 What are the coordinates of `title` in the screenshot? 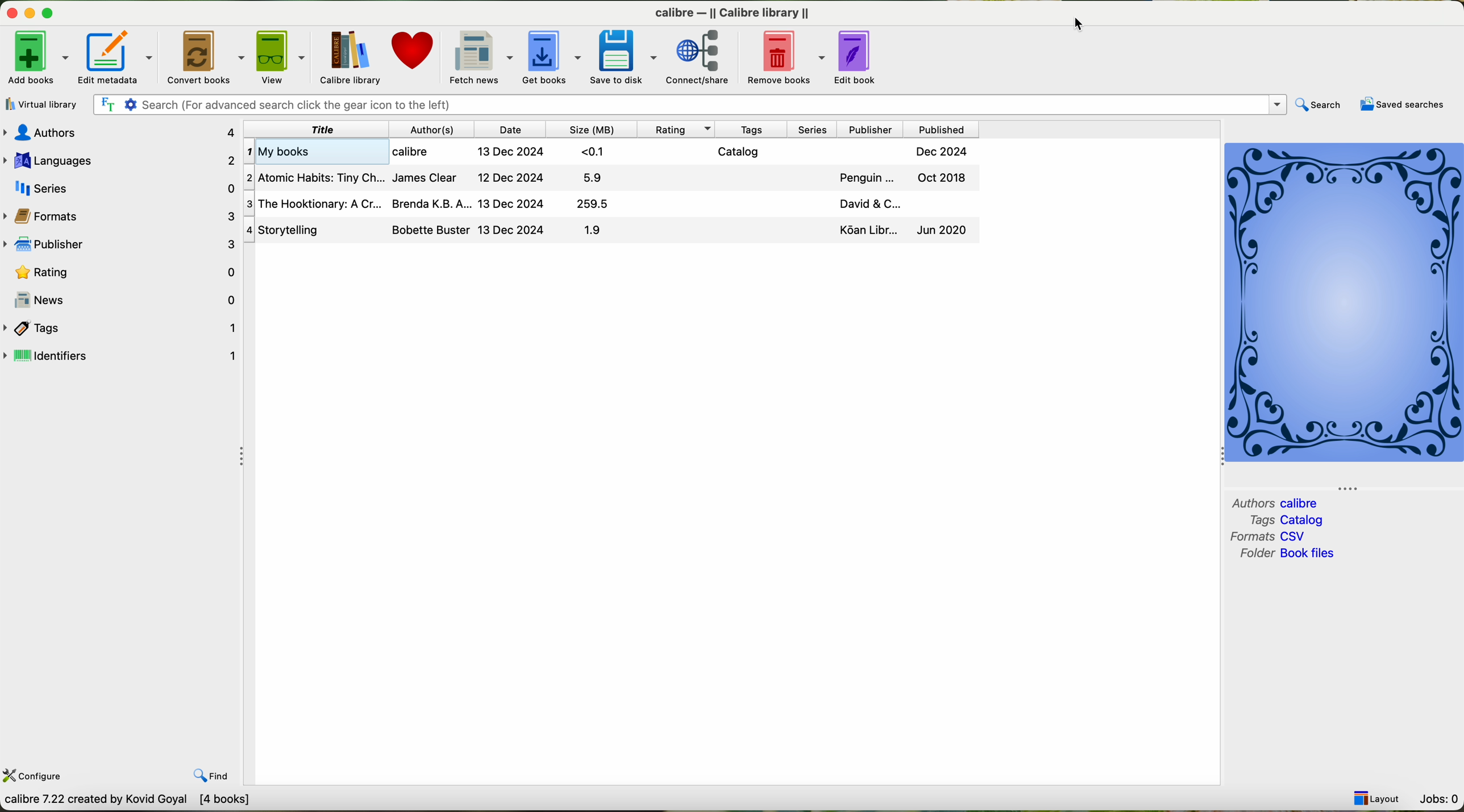 It's located at (313, 131).